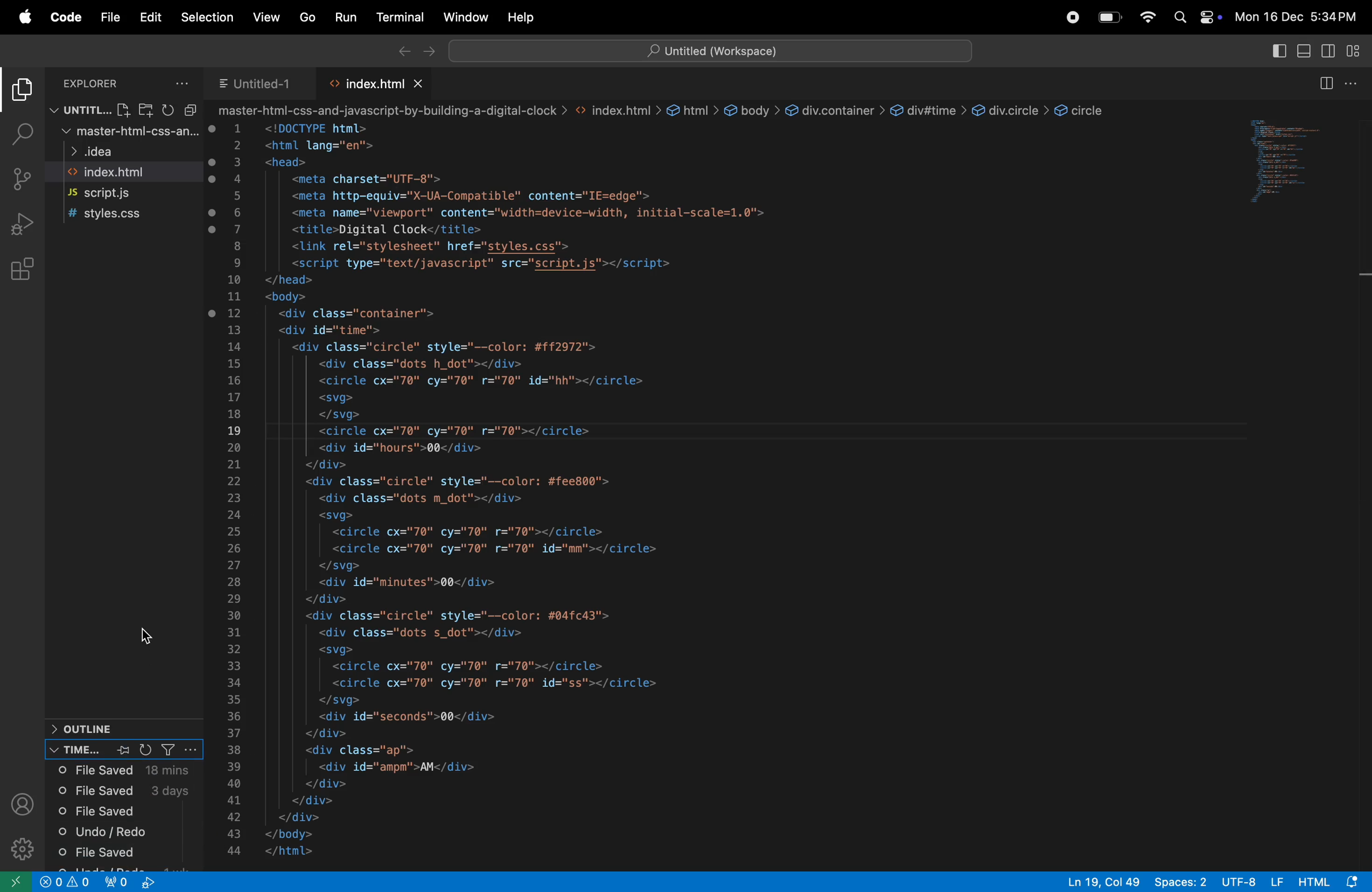 Image resolution: width=1372 pixels, height=892 pixels. What do you see at coordinates (457, 430) in the screenshot?
I see `<circle cx="70" cy="70" r="70"></circle>` at bounding box center [457, 430].